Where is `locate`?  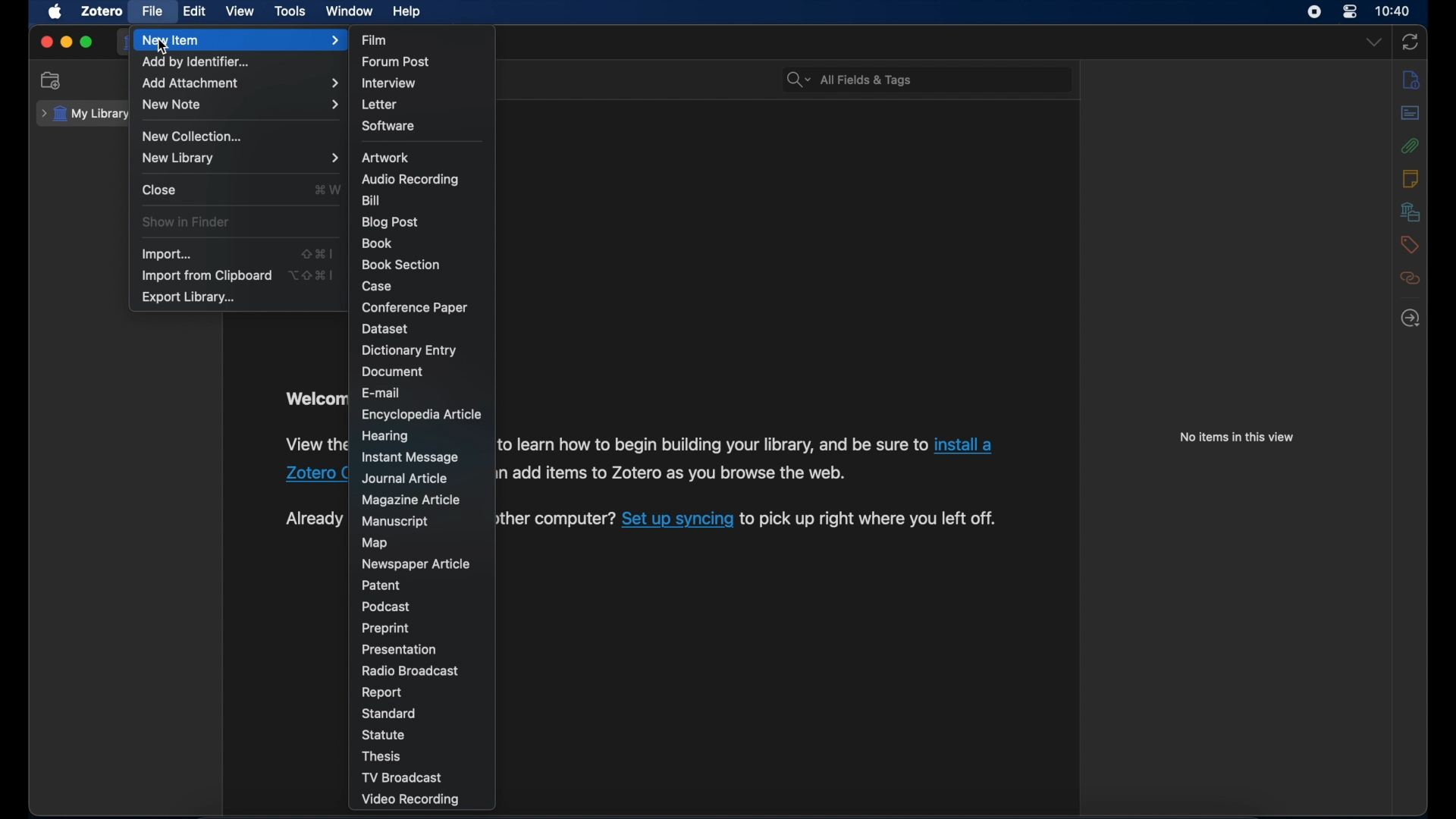 locate is located at coordinates (1411, 317).